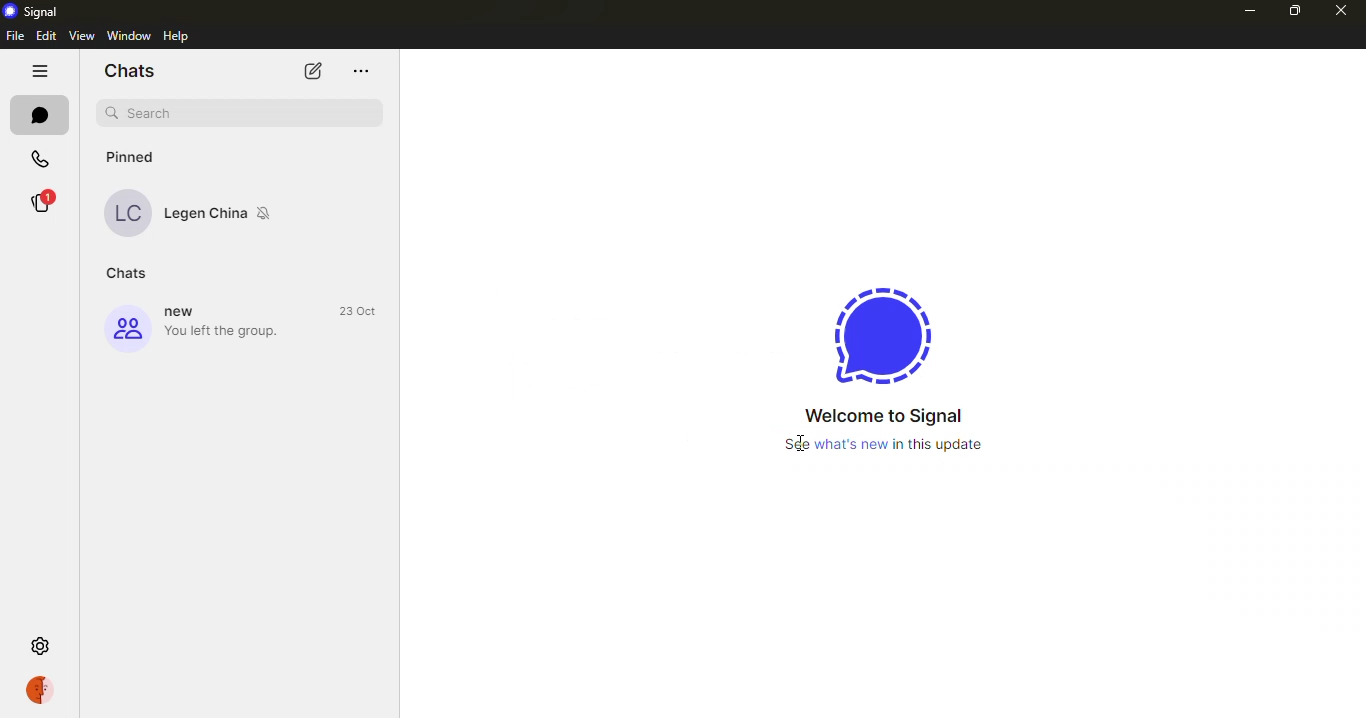 The width and height of the screenshot is (1366, 718). Describe the element at coordinates (16, 36) in the screenshot. I see `file` at that location.